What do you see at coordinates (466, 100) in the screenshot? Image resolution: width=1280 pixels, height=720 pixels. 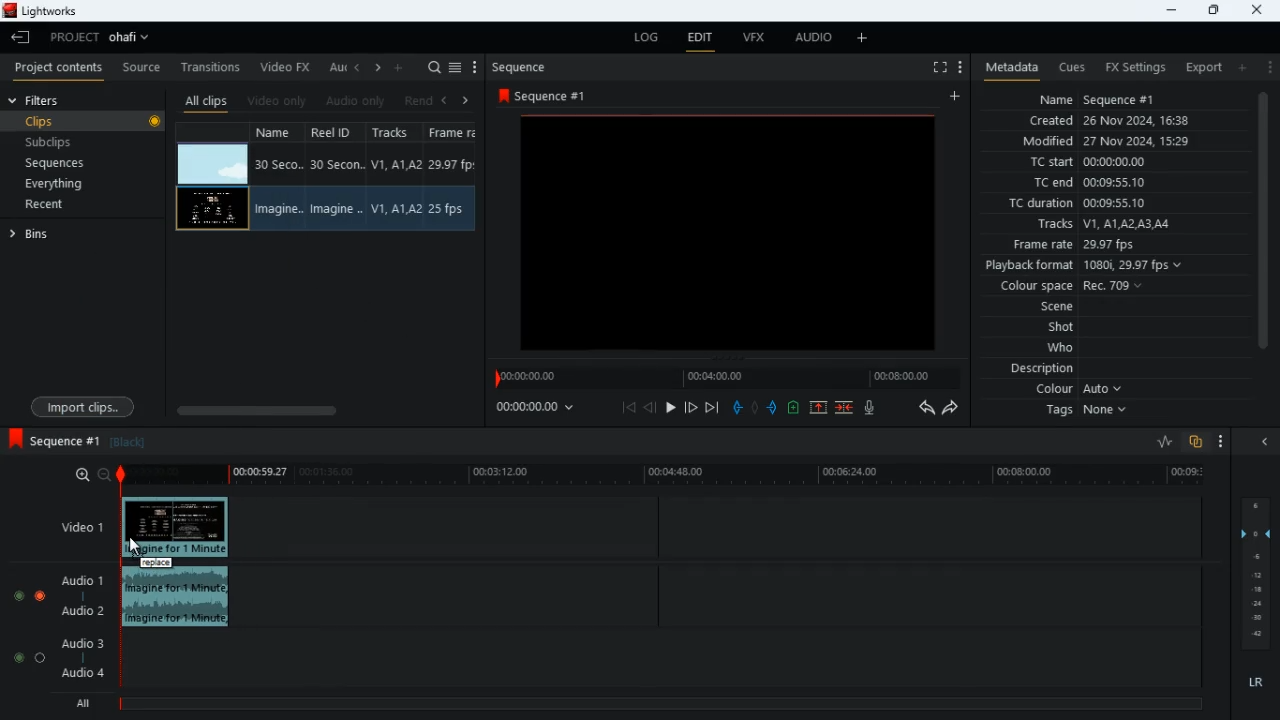 I see `right` at bounding box center [466, 100].